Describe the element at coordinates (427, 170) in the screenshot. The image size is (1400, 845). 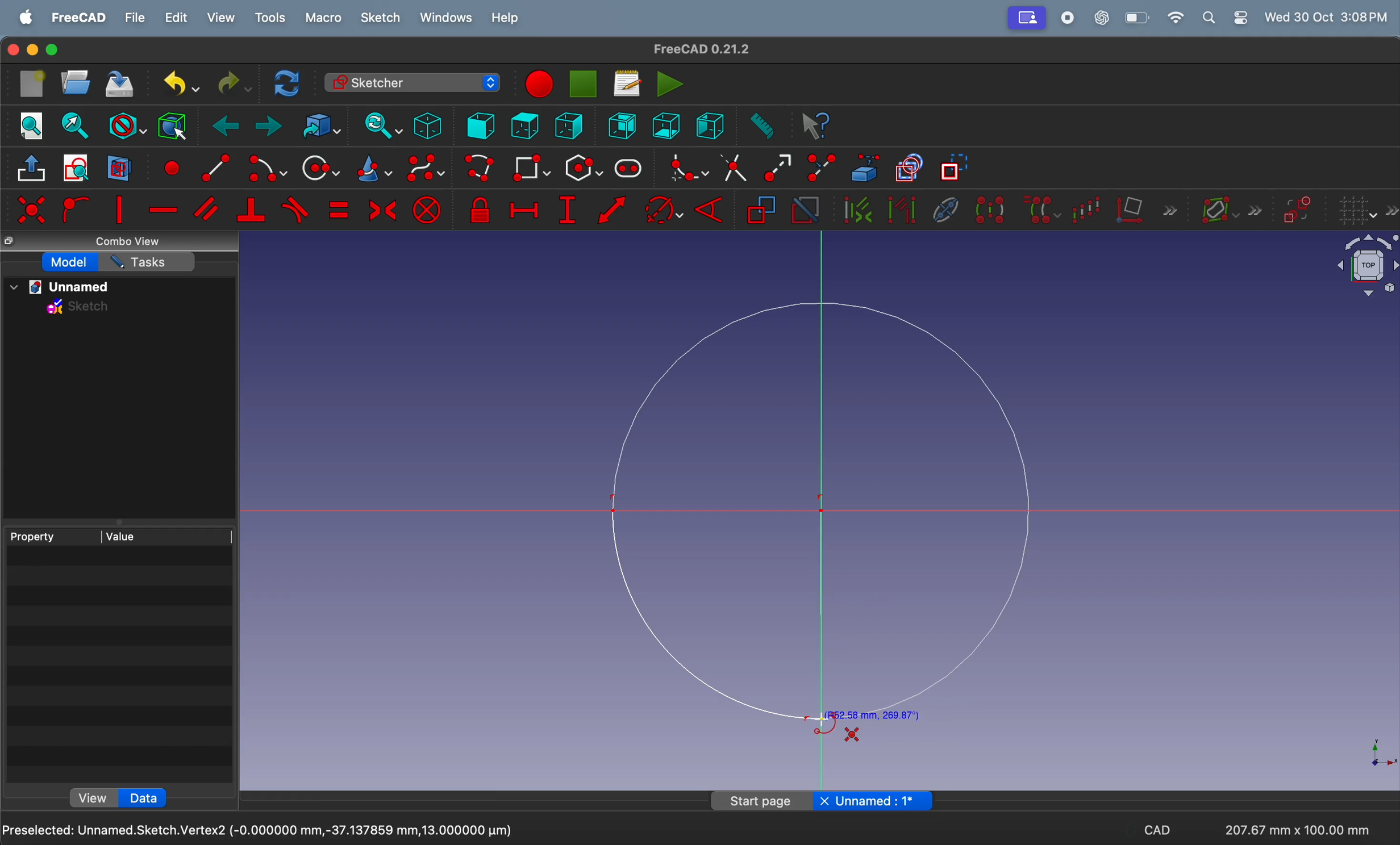
I see `create b spline` at that location.